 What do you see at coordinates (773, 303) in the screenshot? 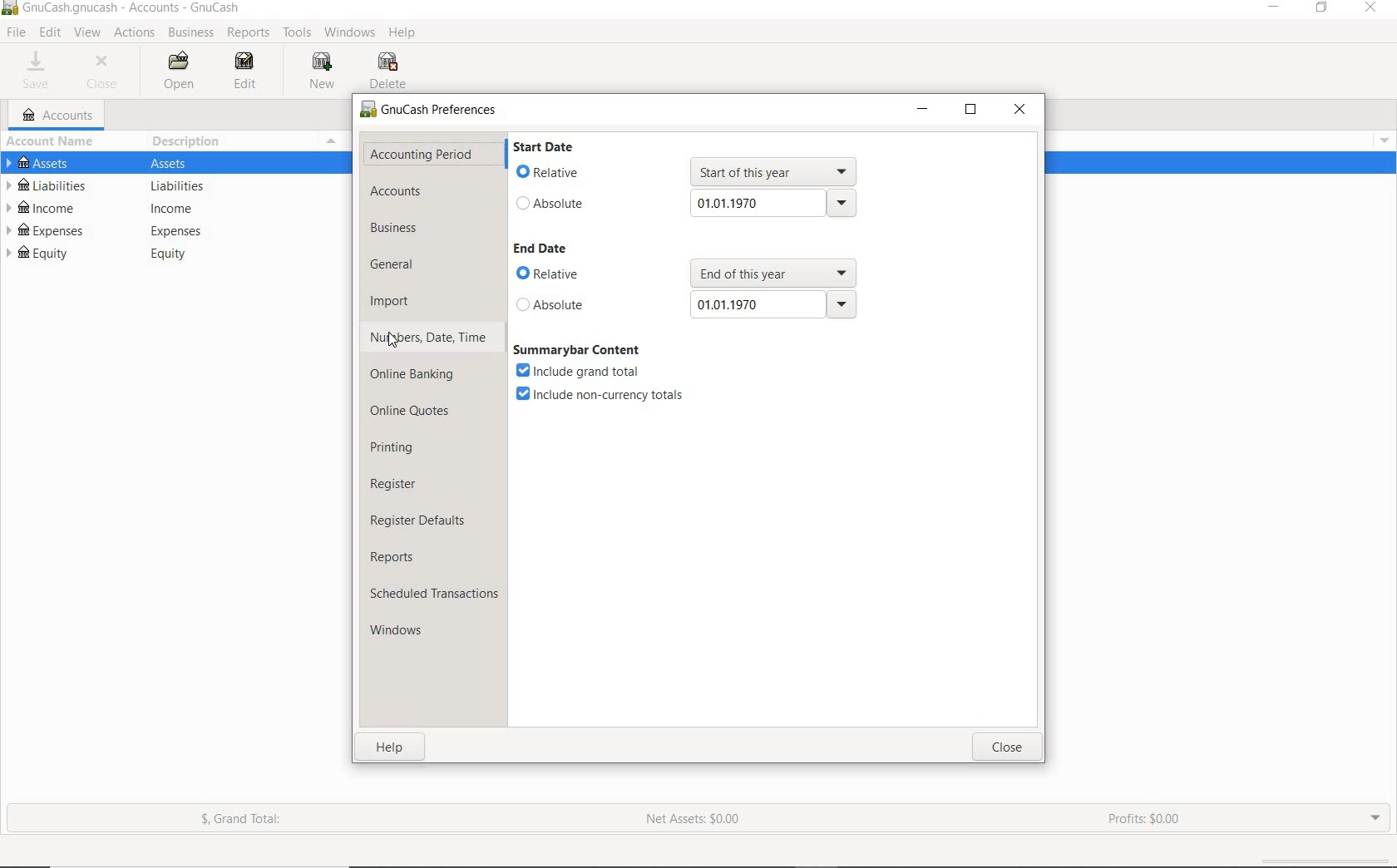
I see `date` at bounding box center [773, 303].